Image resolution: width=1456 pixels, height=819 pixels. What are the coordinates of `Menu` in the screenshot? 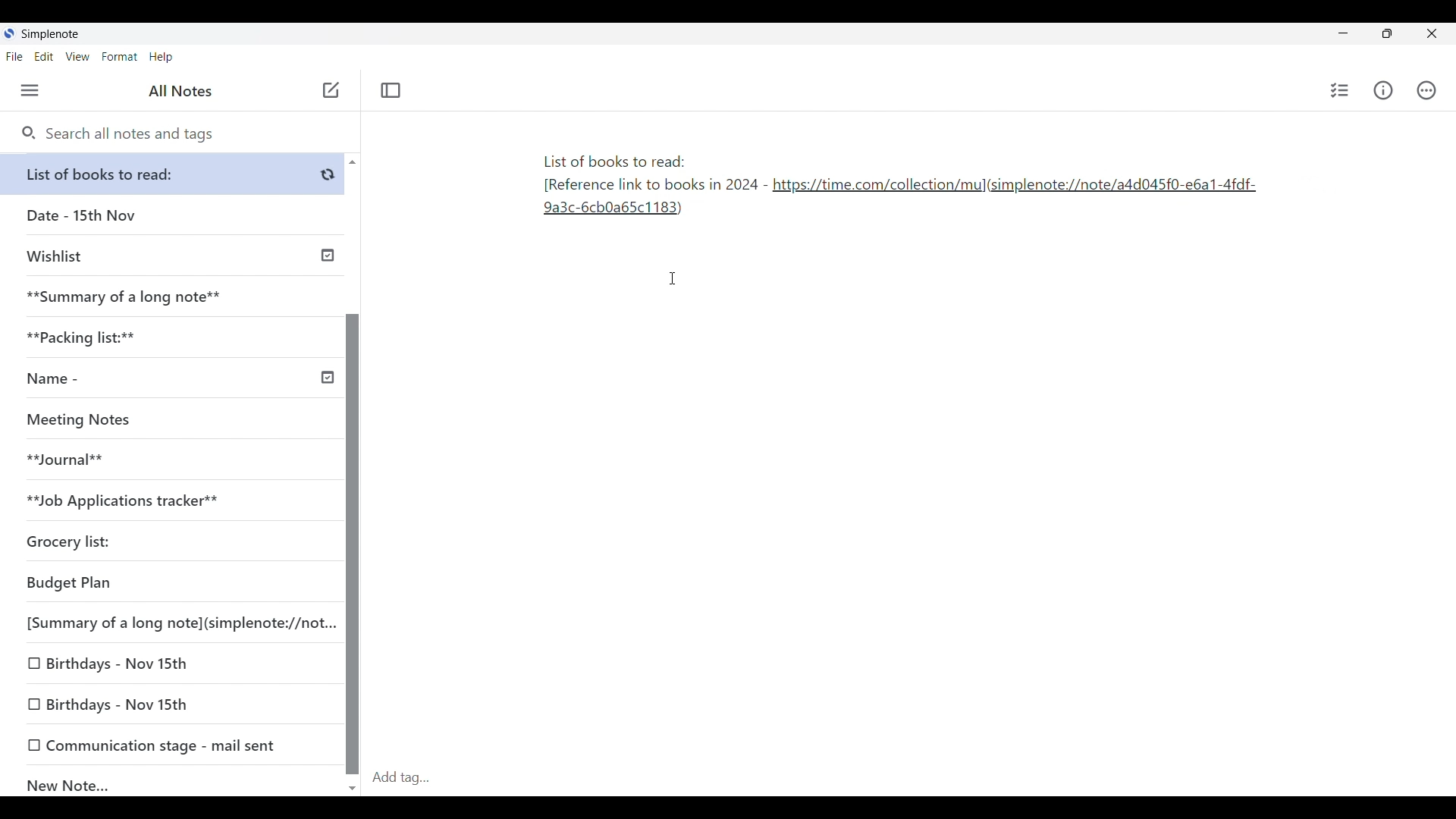 It's located at (30, 91).